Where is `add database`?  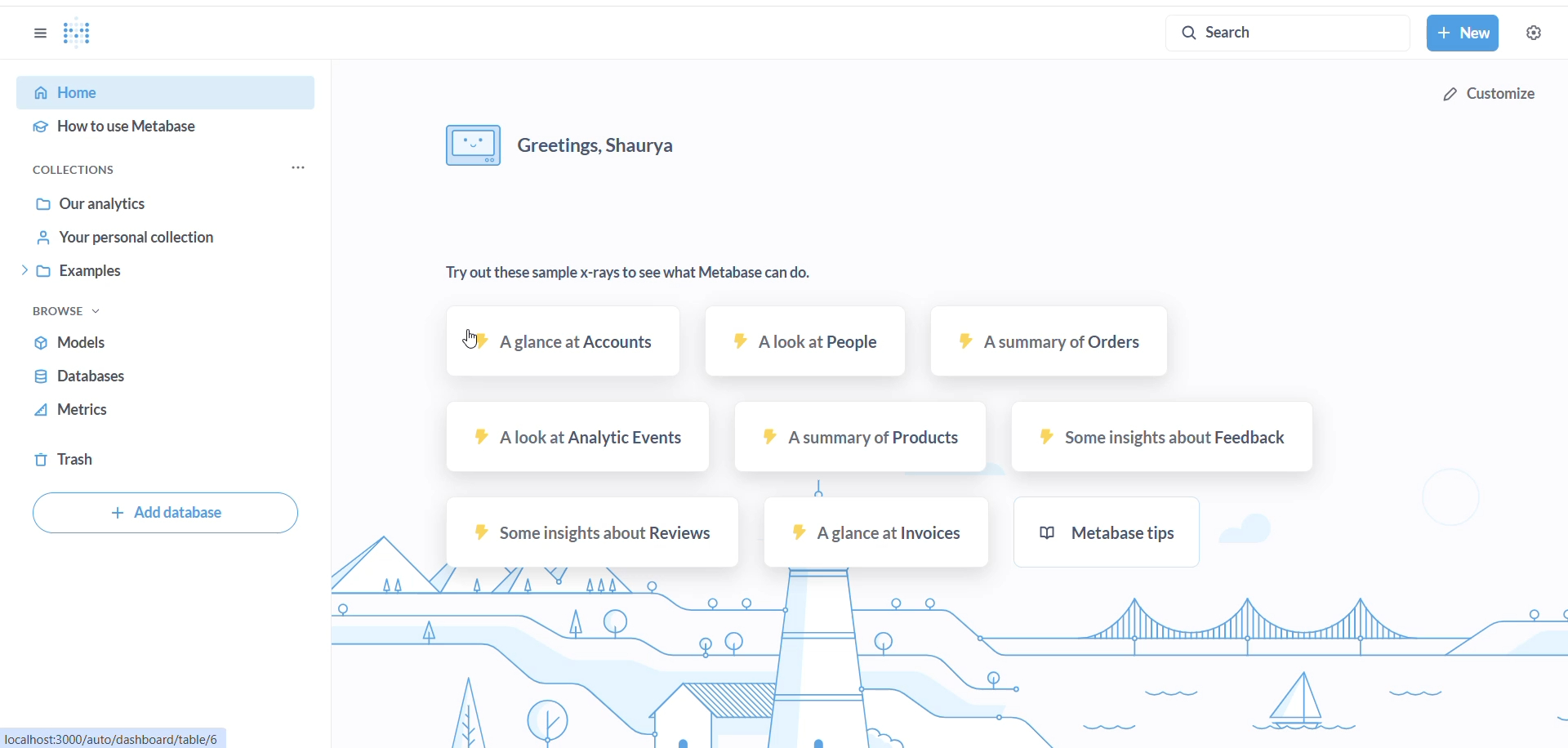 add database is located at coordinates (163, 515).